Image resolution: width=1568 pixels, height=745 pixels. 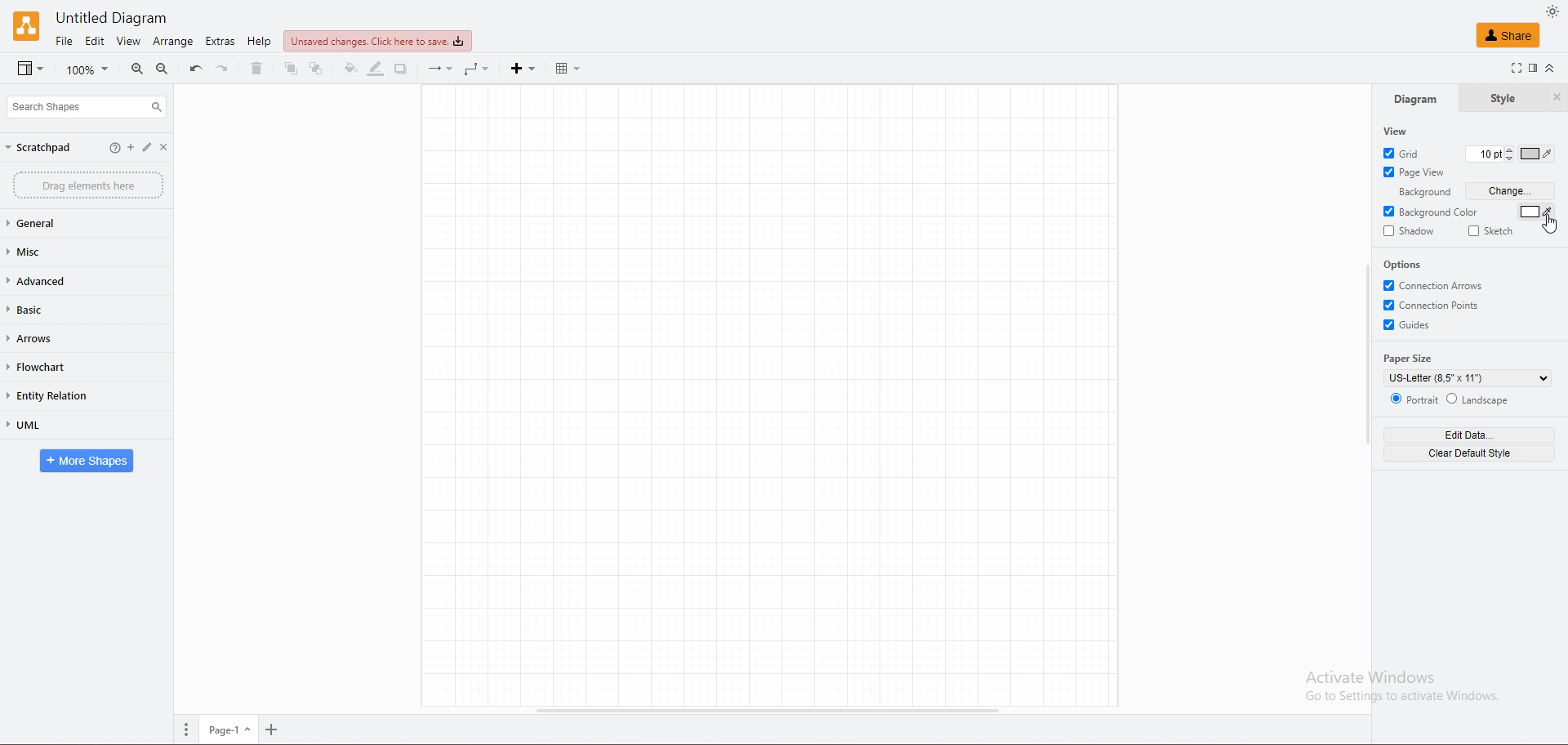 I want to click on insert, so click(x=523, y=69).